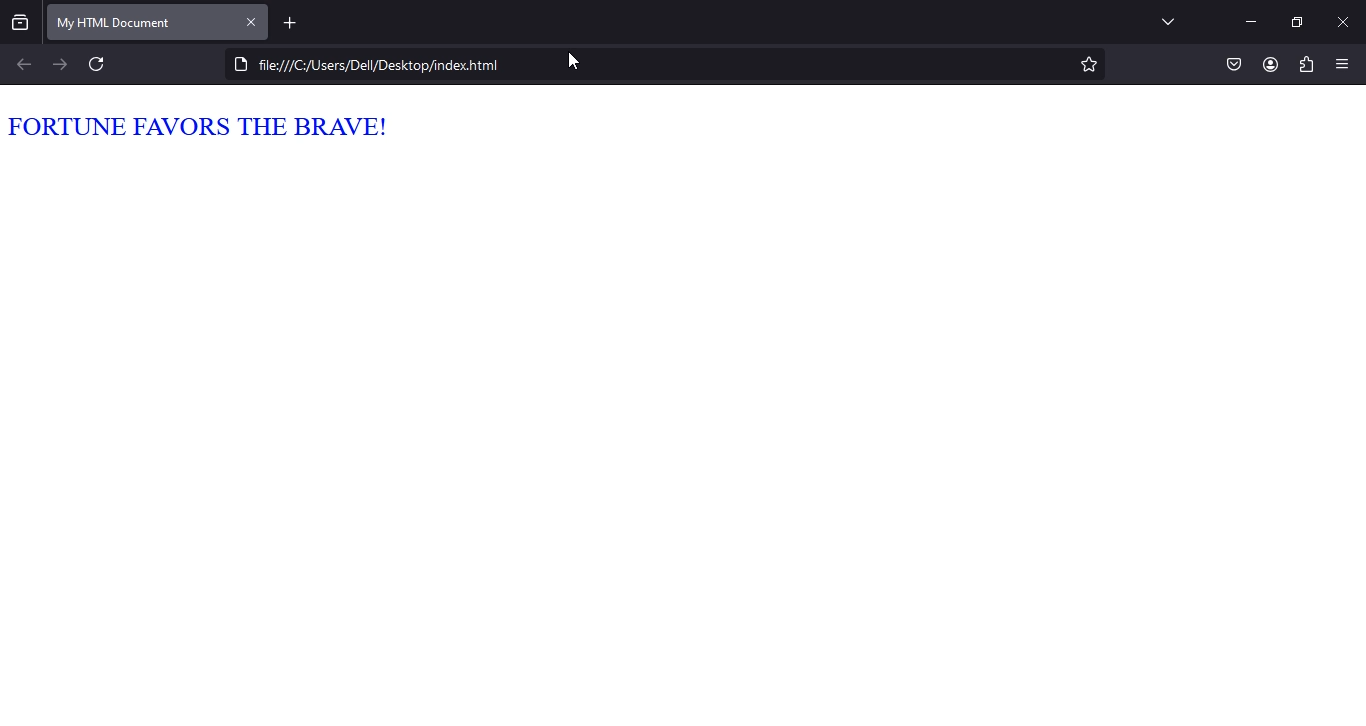 This screenshot has height=726, width=1366. What do you see at coordinates (1343, 63) in the screenshot?
I see `open application menu` at bounding box center [1343, 63].